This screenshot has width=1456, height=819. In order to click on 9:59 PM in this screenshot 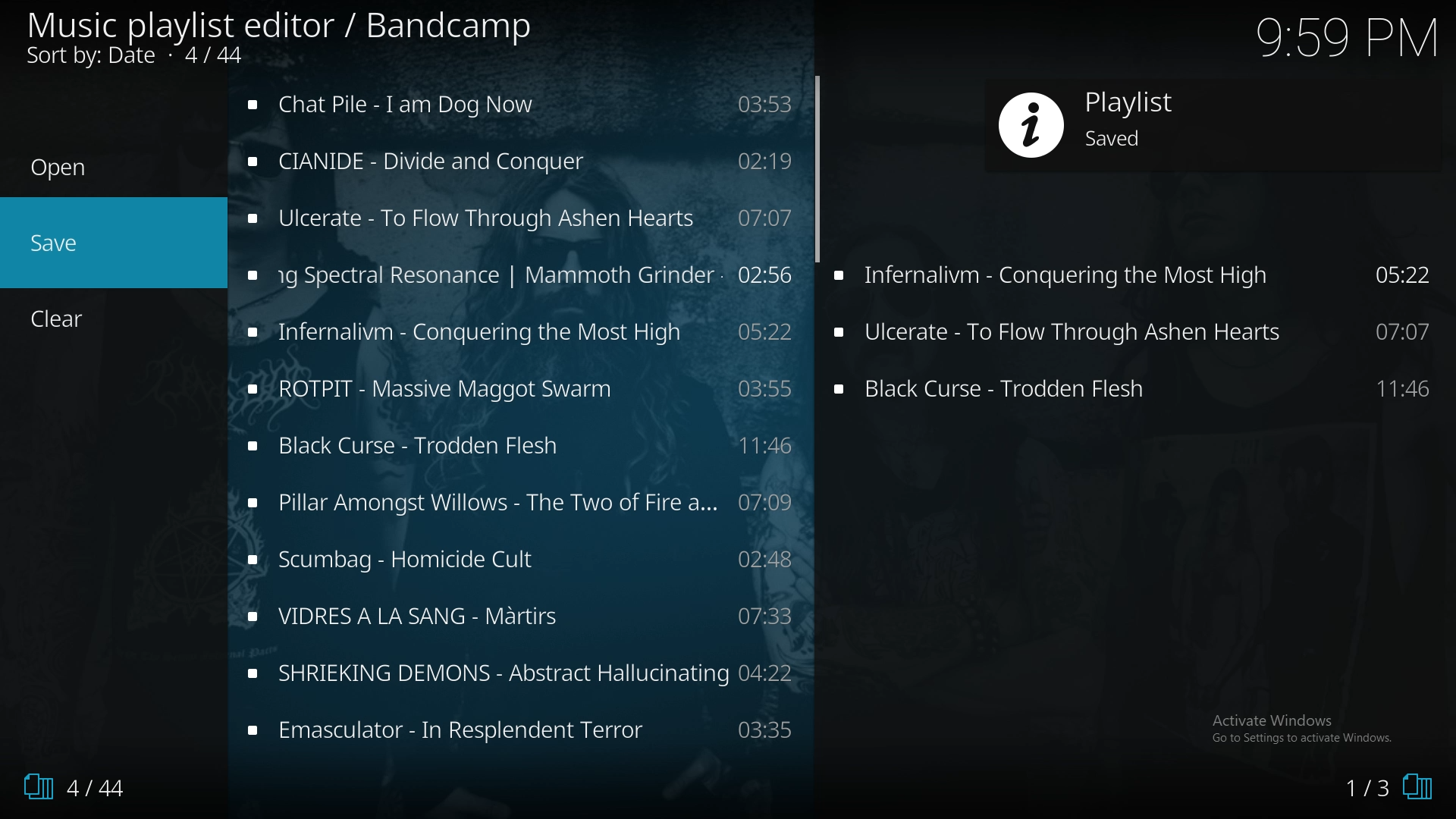, I will do `click(1341, 42)`.